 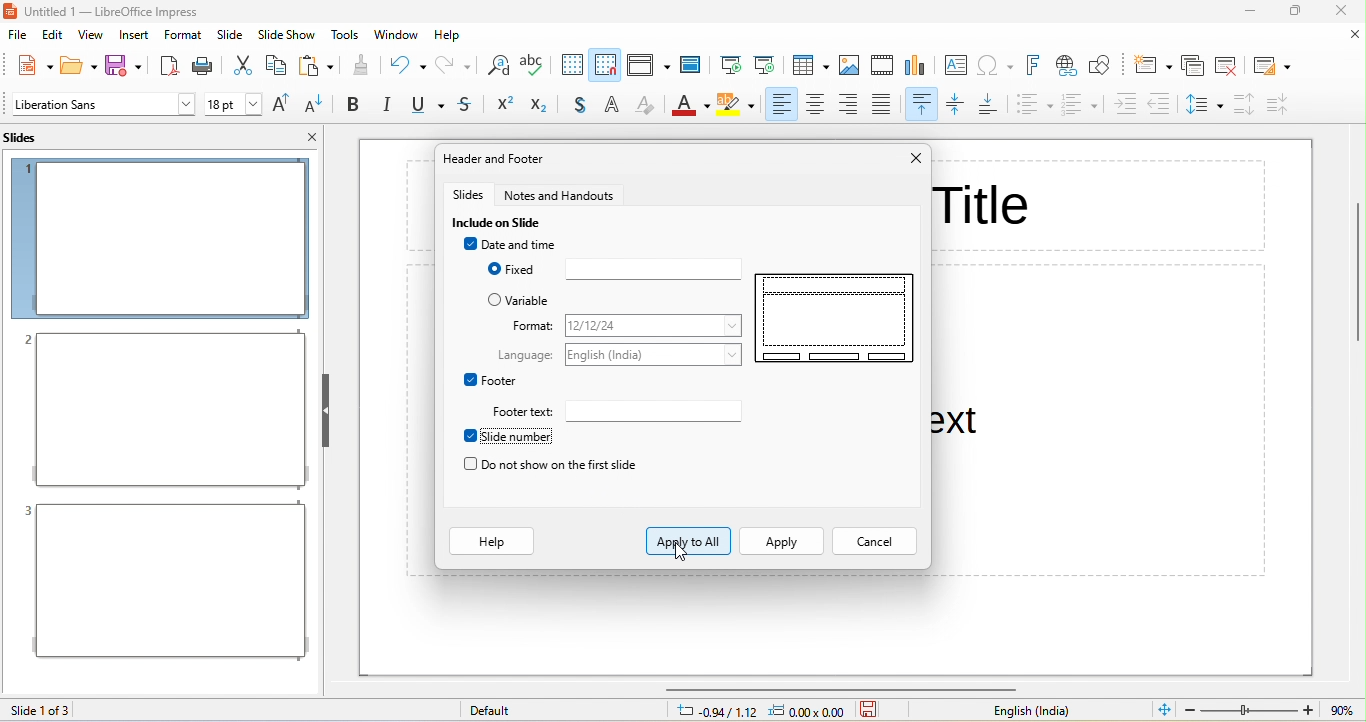 I want to click on footer text, so click(x=653, y=410).